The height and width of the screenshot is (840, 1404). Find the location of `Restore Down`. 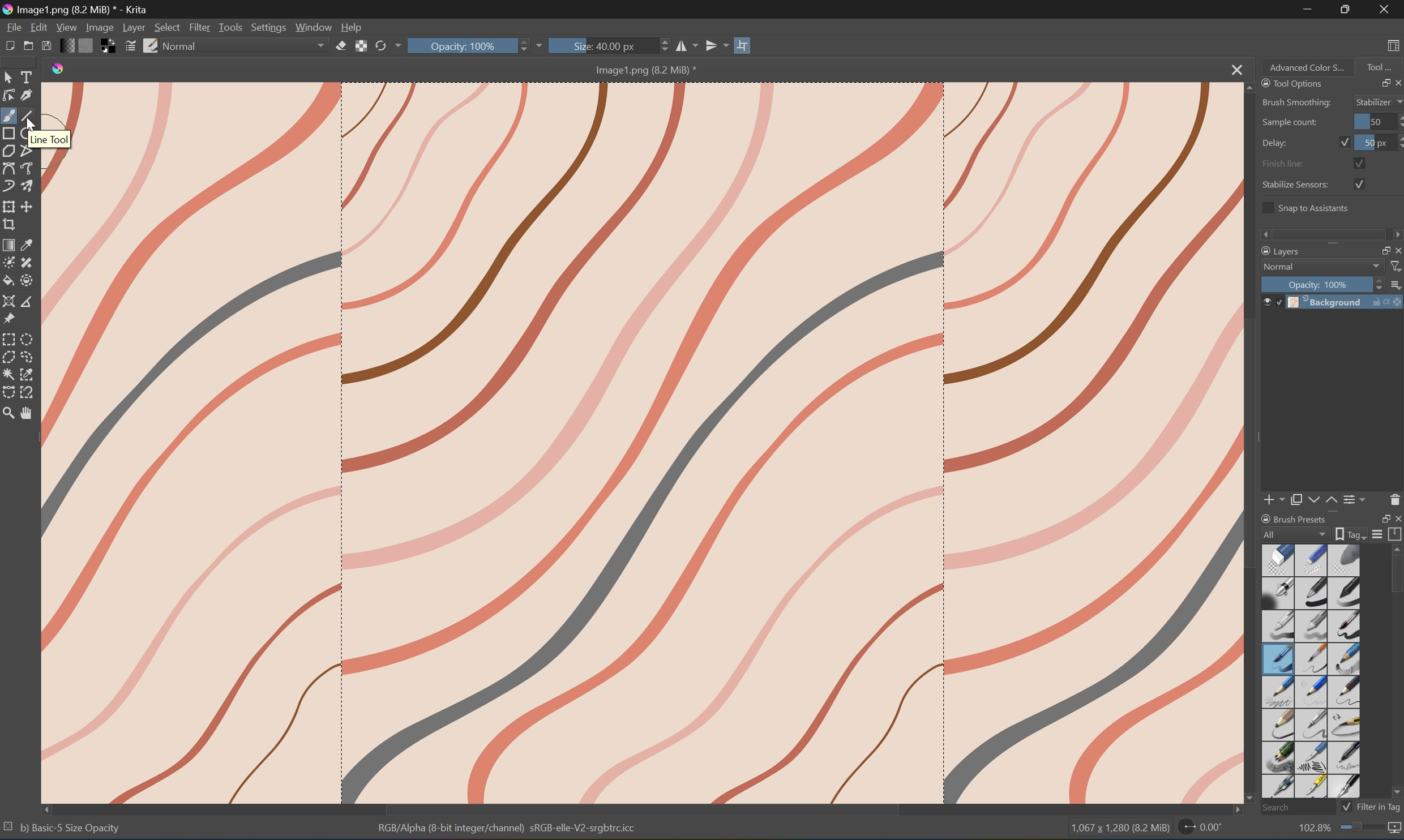

Restore Down is located at coordinates (1378, 250).